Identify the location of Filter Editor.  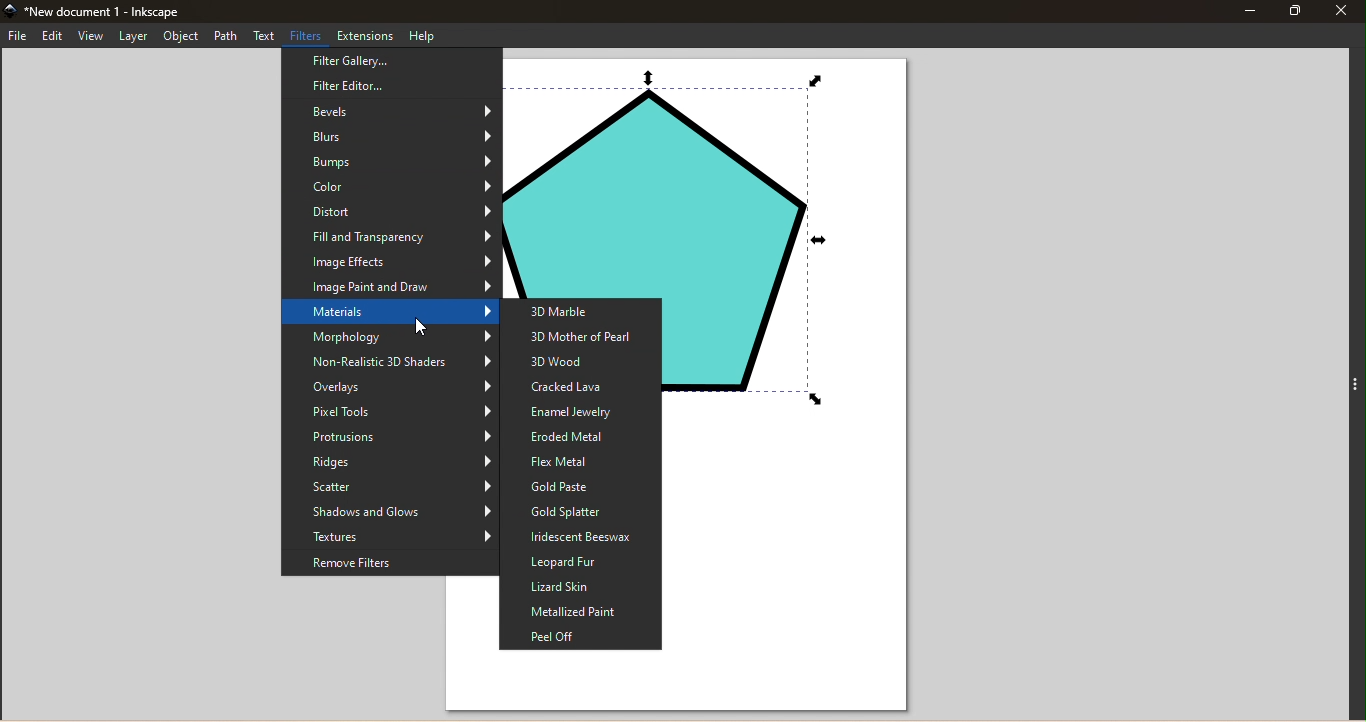
(391, 85).